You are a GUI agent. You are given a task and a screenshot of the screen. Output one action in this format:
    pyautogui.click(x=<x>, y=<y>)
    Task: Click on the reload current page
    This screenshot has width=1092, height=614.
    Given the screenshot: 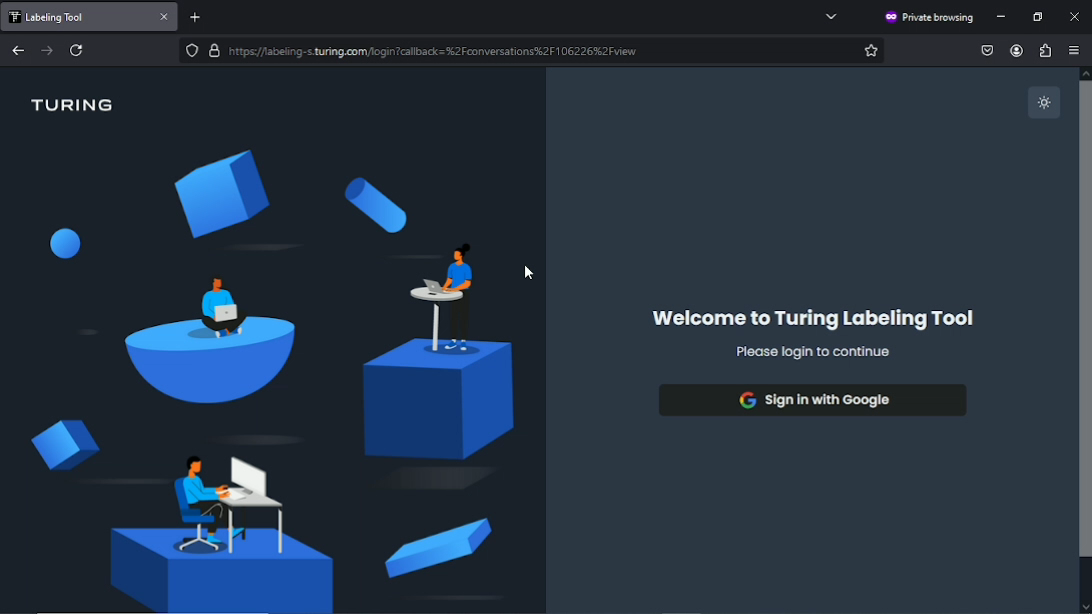 What is the action you would take?
    pyautogui.click(x=79, y=50)
    